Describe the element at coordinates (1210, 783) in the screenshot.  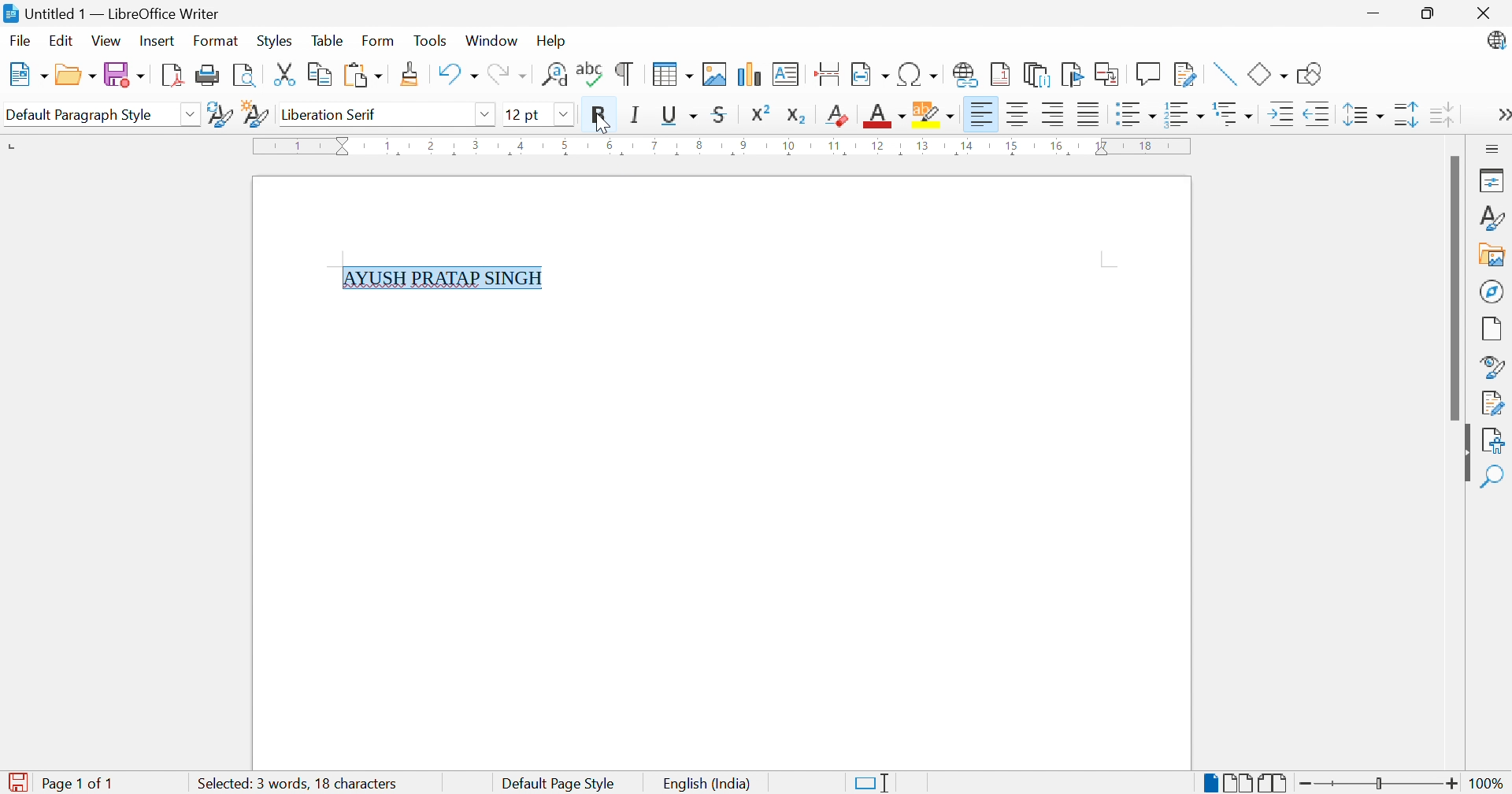
I see `Single-page View` at that location.